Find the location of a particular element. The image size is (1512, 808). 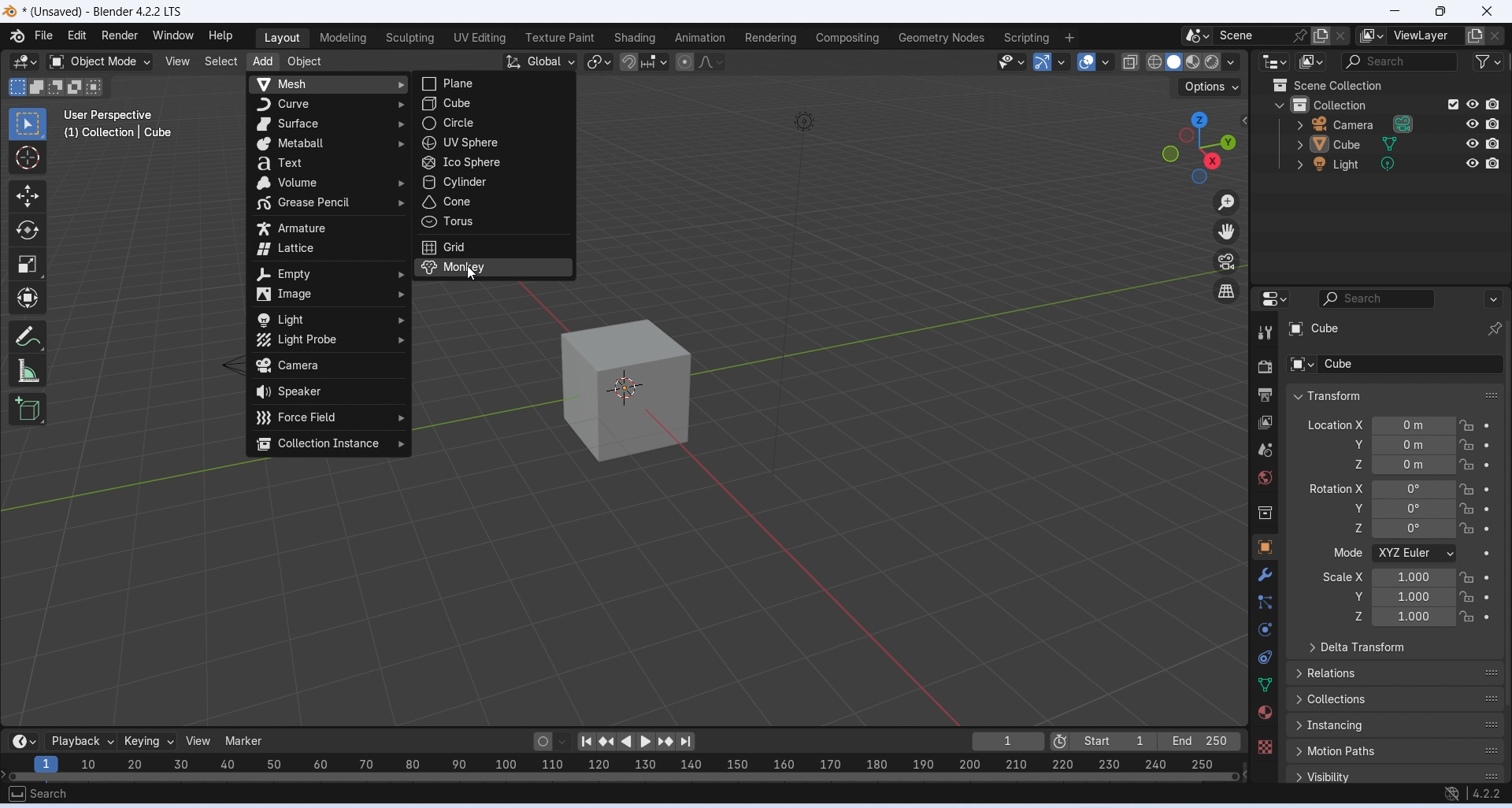

animate property is located at coordinates (1487, 510).